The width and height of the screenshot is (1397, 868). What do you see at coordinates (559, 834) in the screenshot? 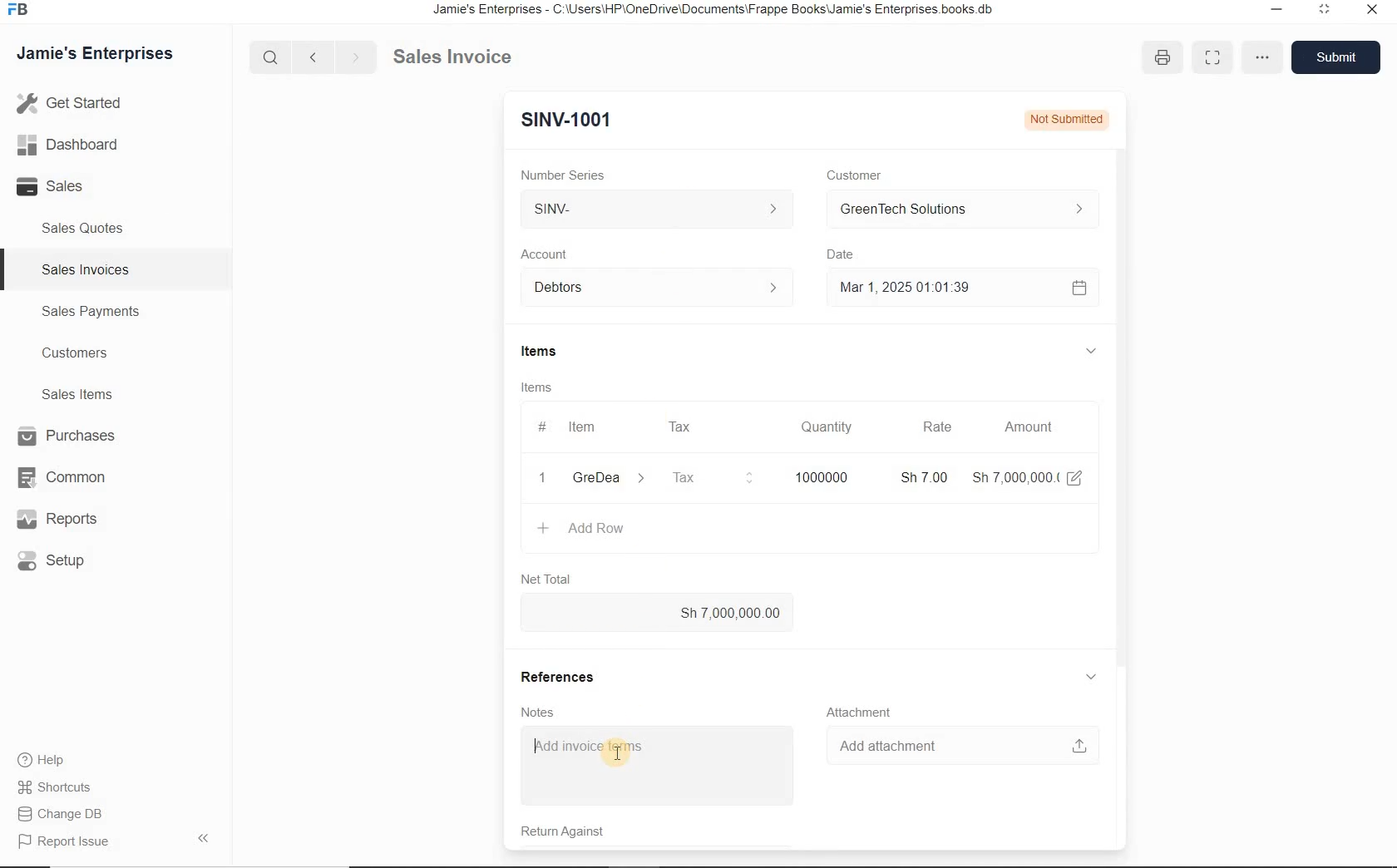
I see `Return Against` at bounding box center [559, 834].